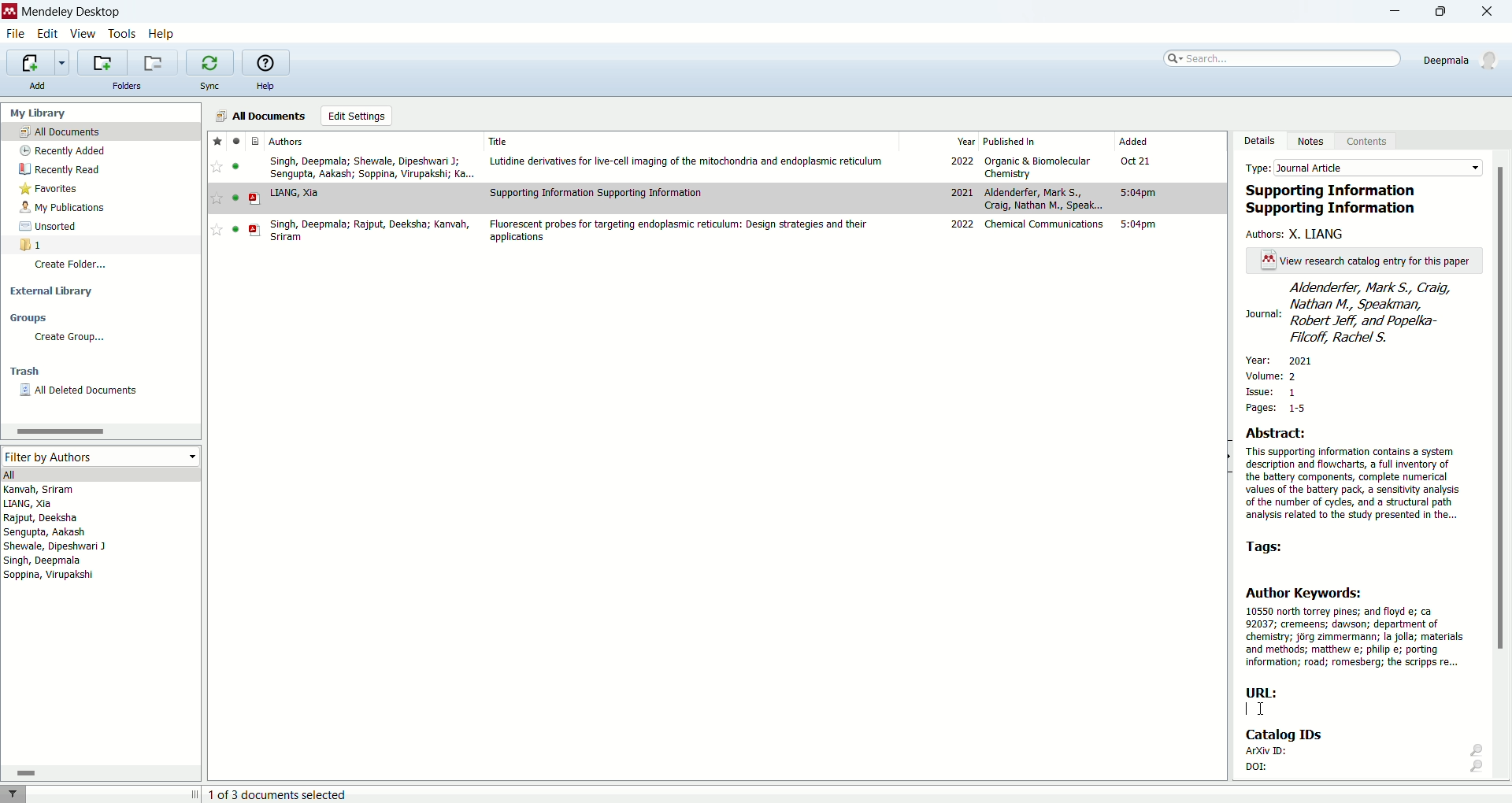 Image resolution: width=1512 pixels, height=803 pixels. Describe the element at coordinates (238, 140) in the screenshot. I see `read/unread` at that location.